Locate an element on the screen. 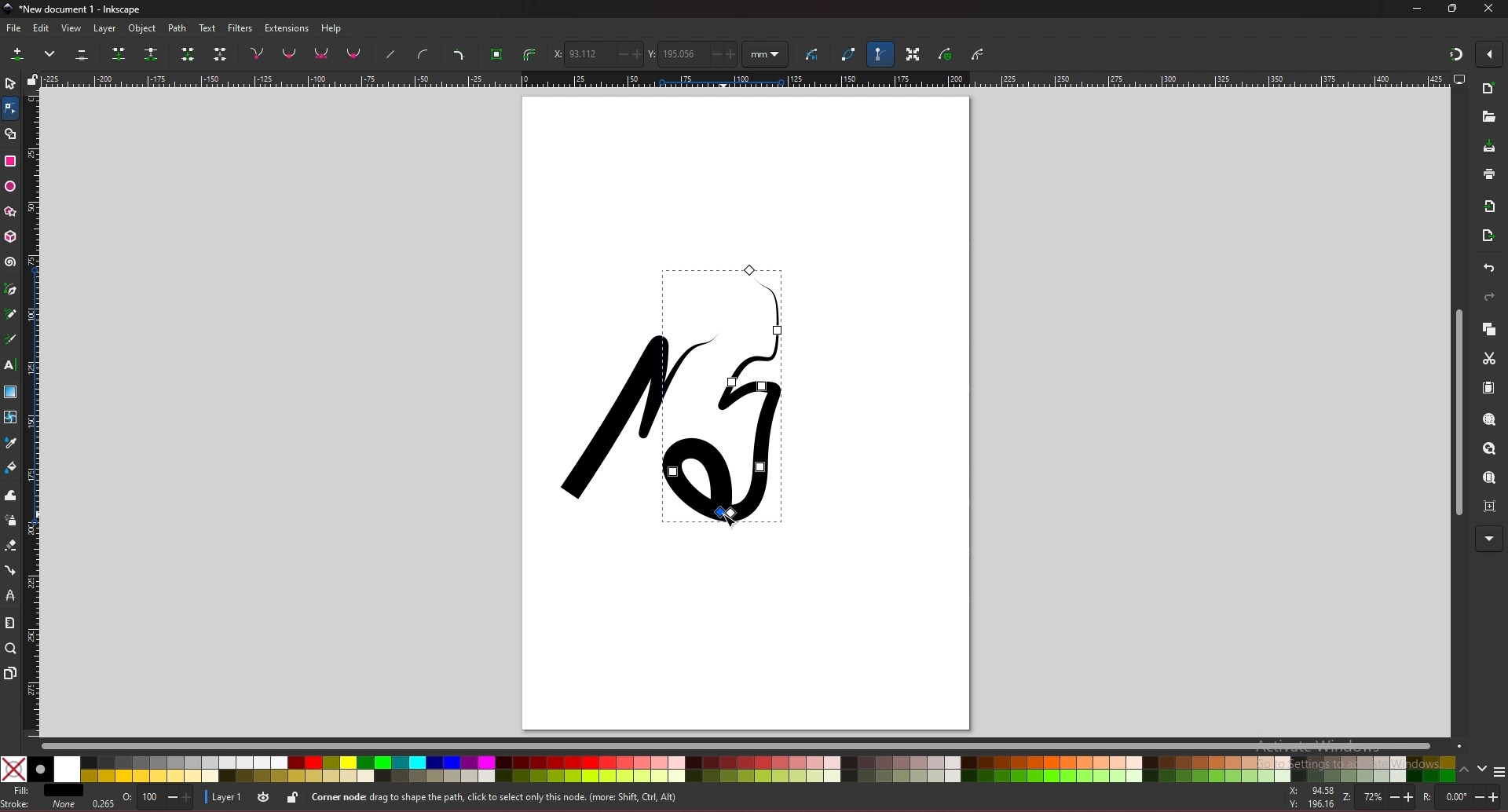  info is located at coordinates (535, 796).